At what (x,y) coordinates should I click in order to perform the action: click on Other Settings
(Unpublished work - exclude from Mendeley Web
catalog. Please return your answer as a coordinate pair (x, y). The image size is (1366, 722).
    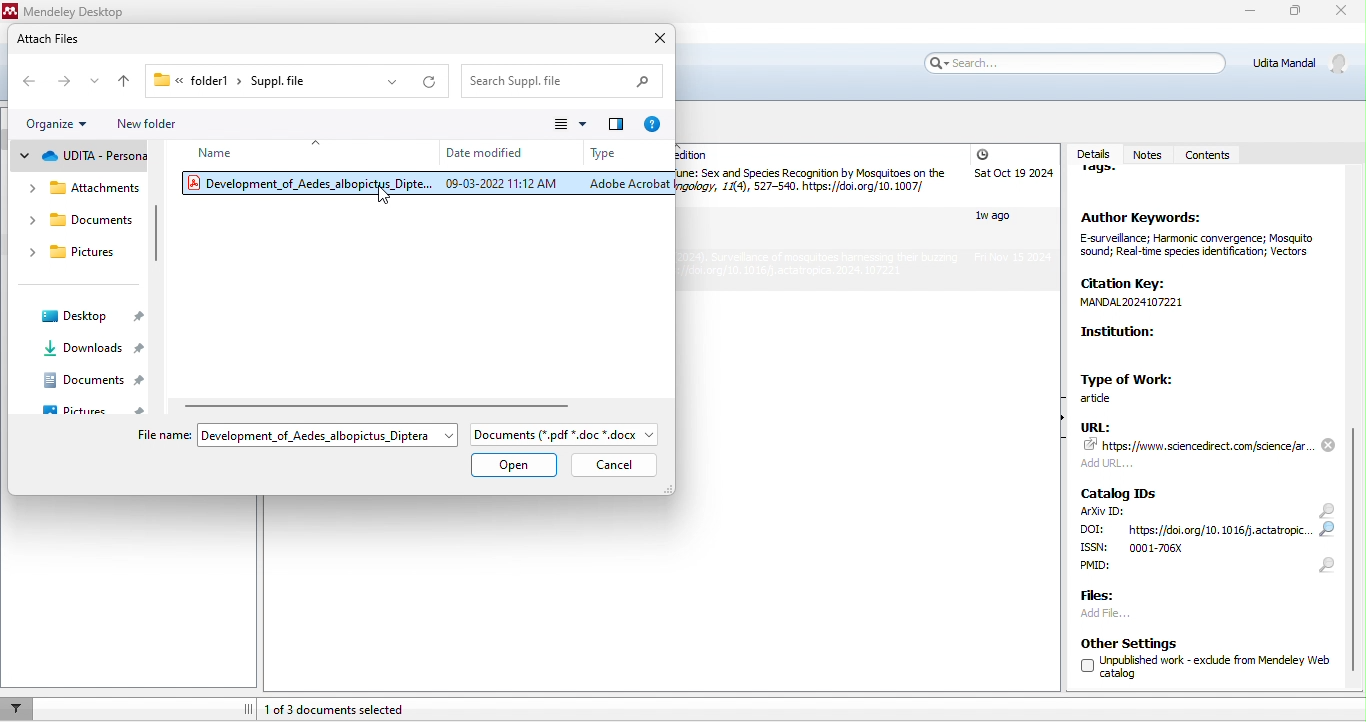
    Looking at the image, I should click on (1200, 661).